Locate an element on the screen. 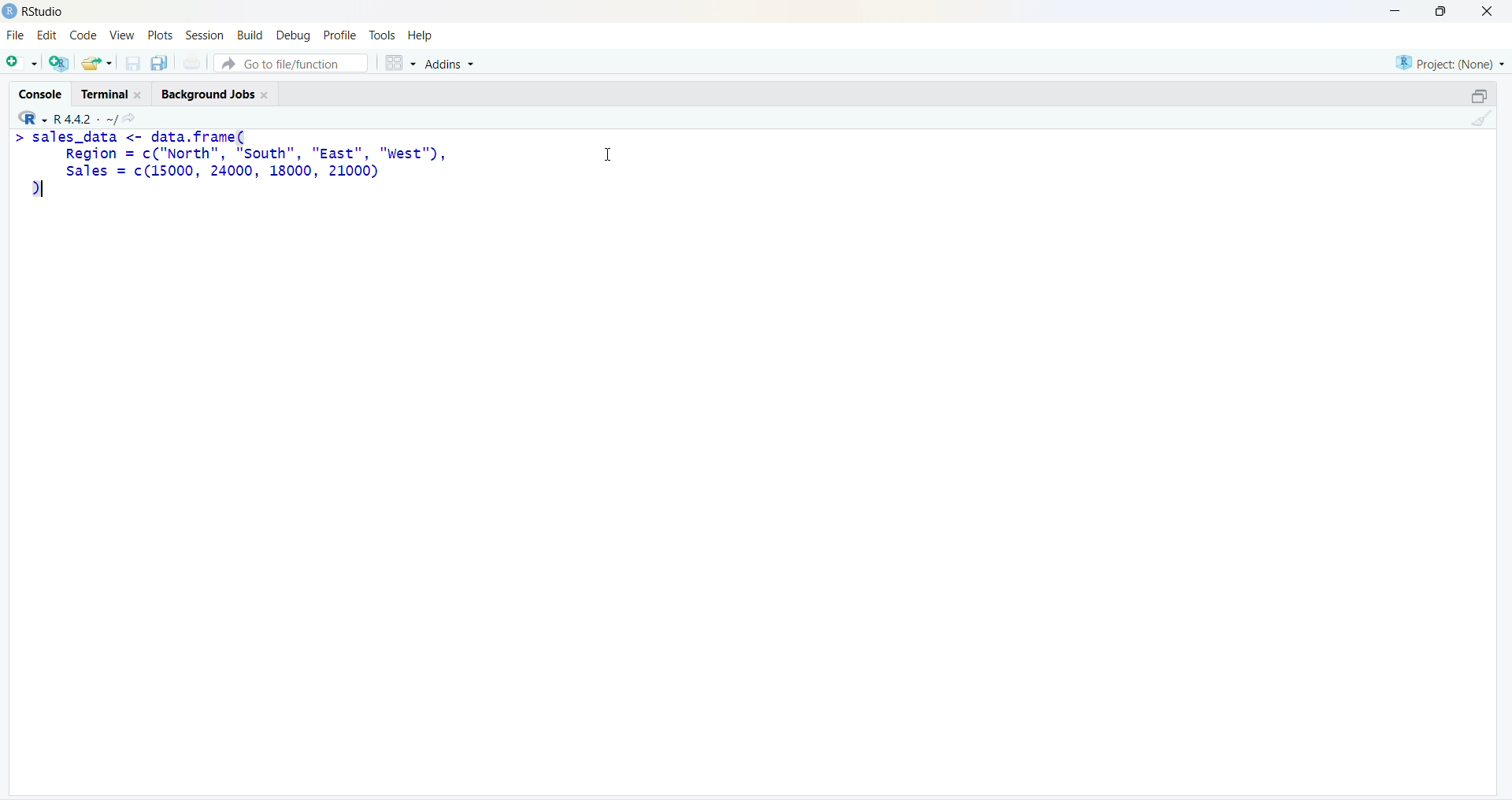 Image resolution: width=1512 pixels, height=800 pixels. maximise is located at coordinates (1444, 11).